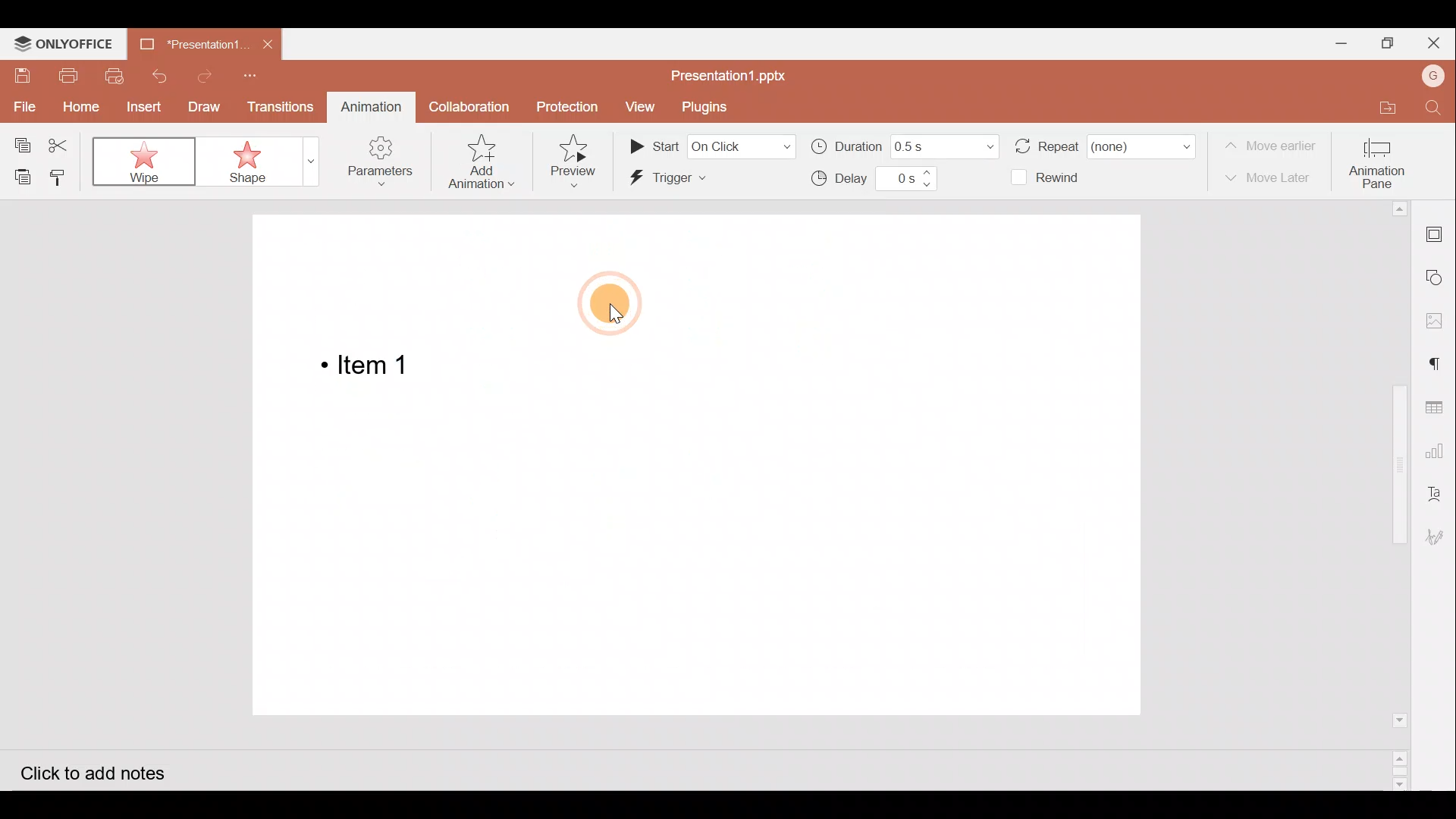 This screenshot has height=819, width=1456. I want to click on Move earlier, so click(1271, 142).